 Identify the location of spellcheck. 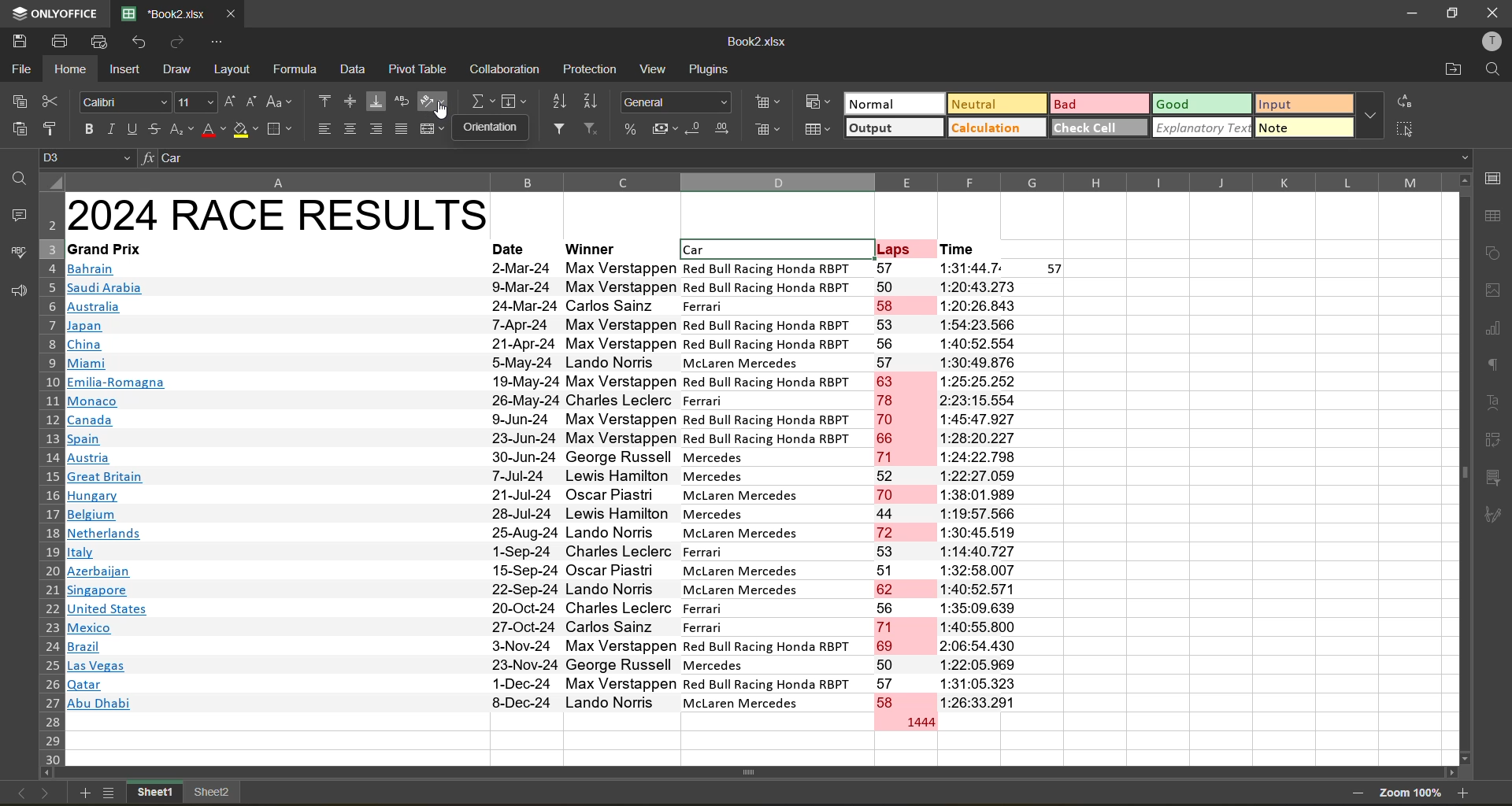
(15, 253).